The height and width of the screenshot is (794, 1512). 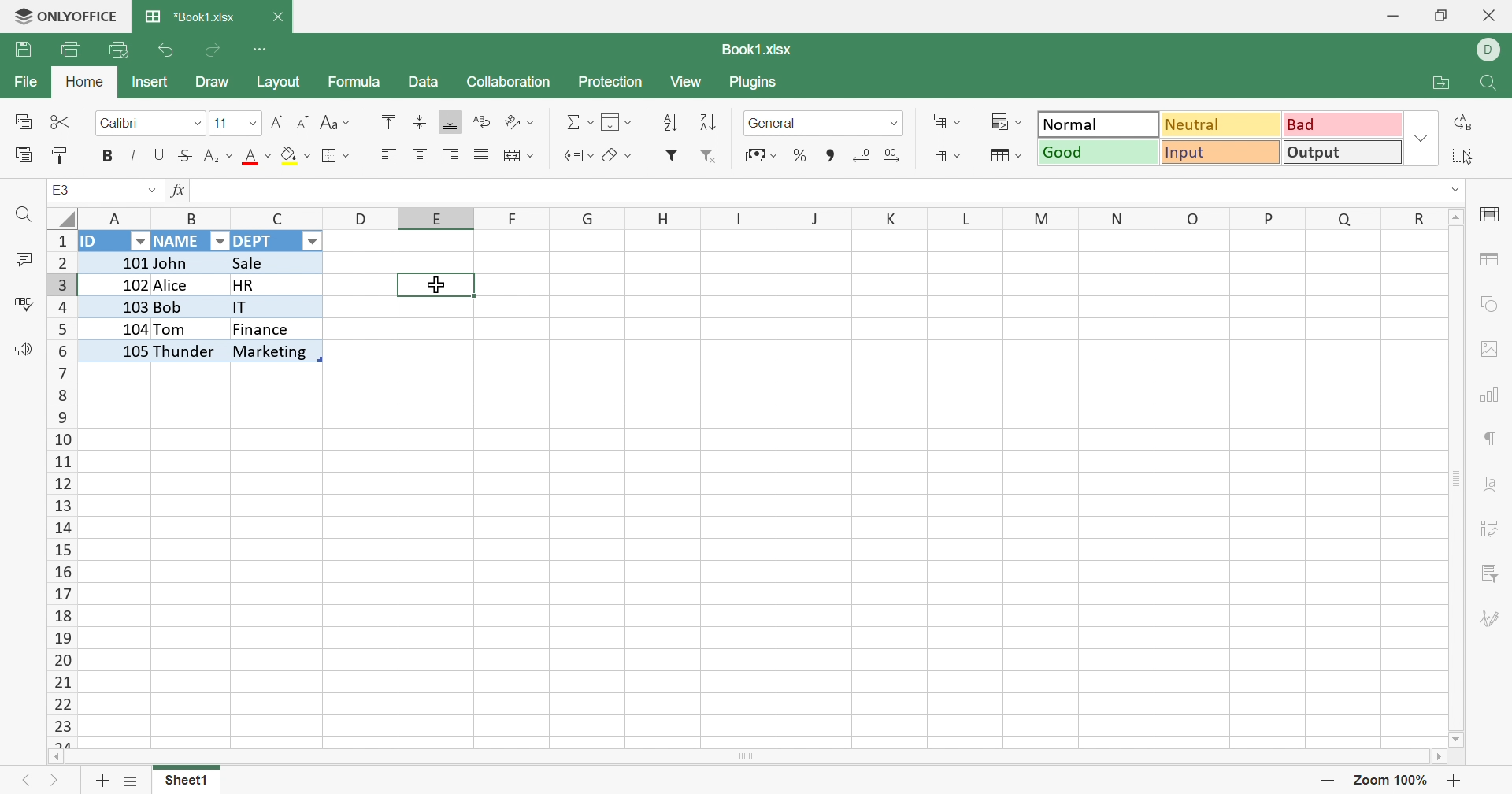 I want to click on Chart settings, so click(x=1485, y=395).